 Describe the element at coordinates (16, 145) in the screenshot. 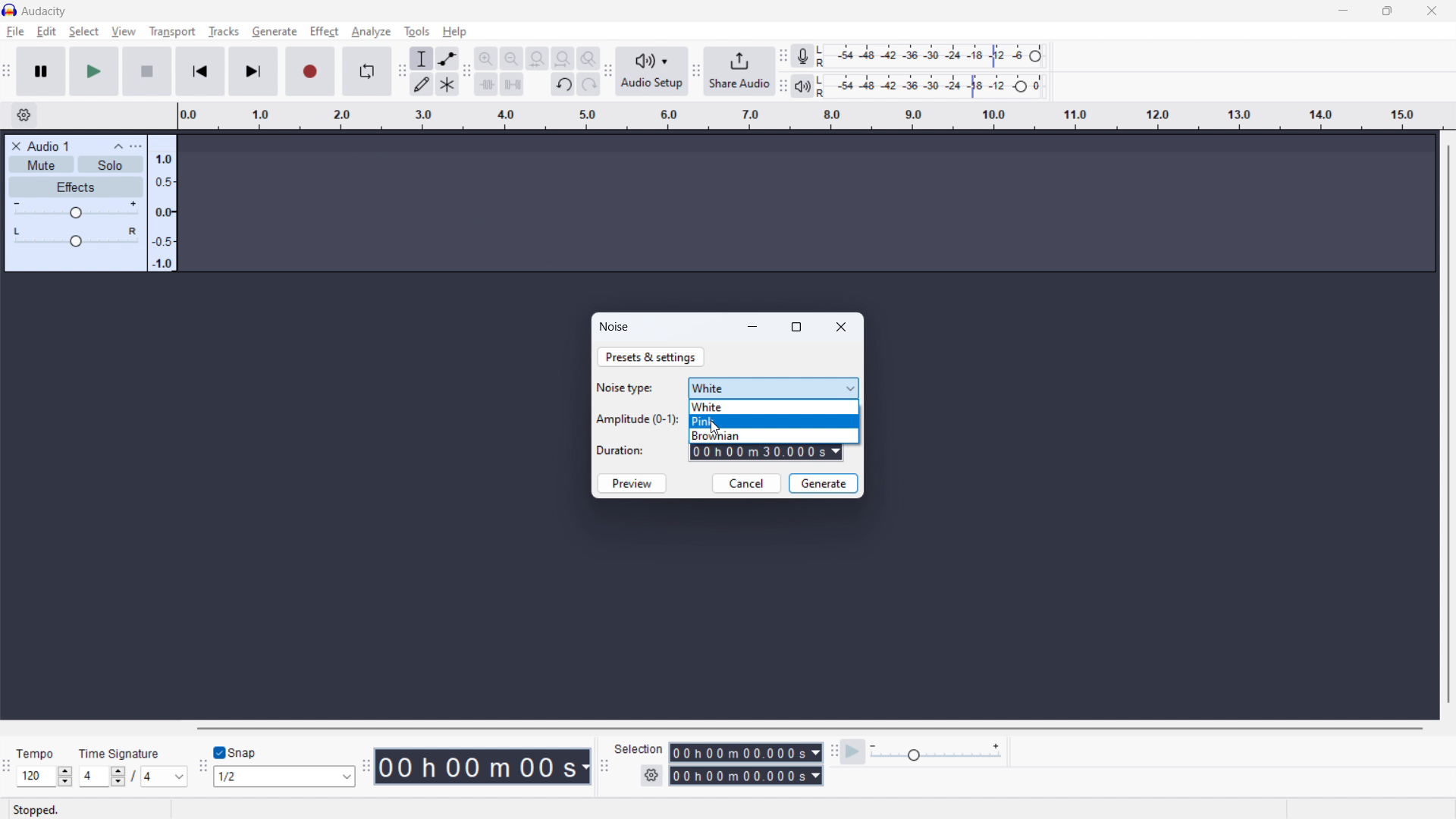

I see `delete track` at that location.